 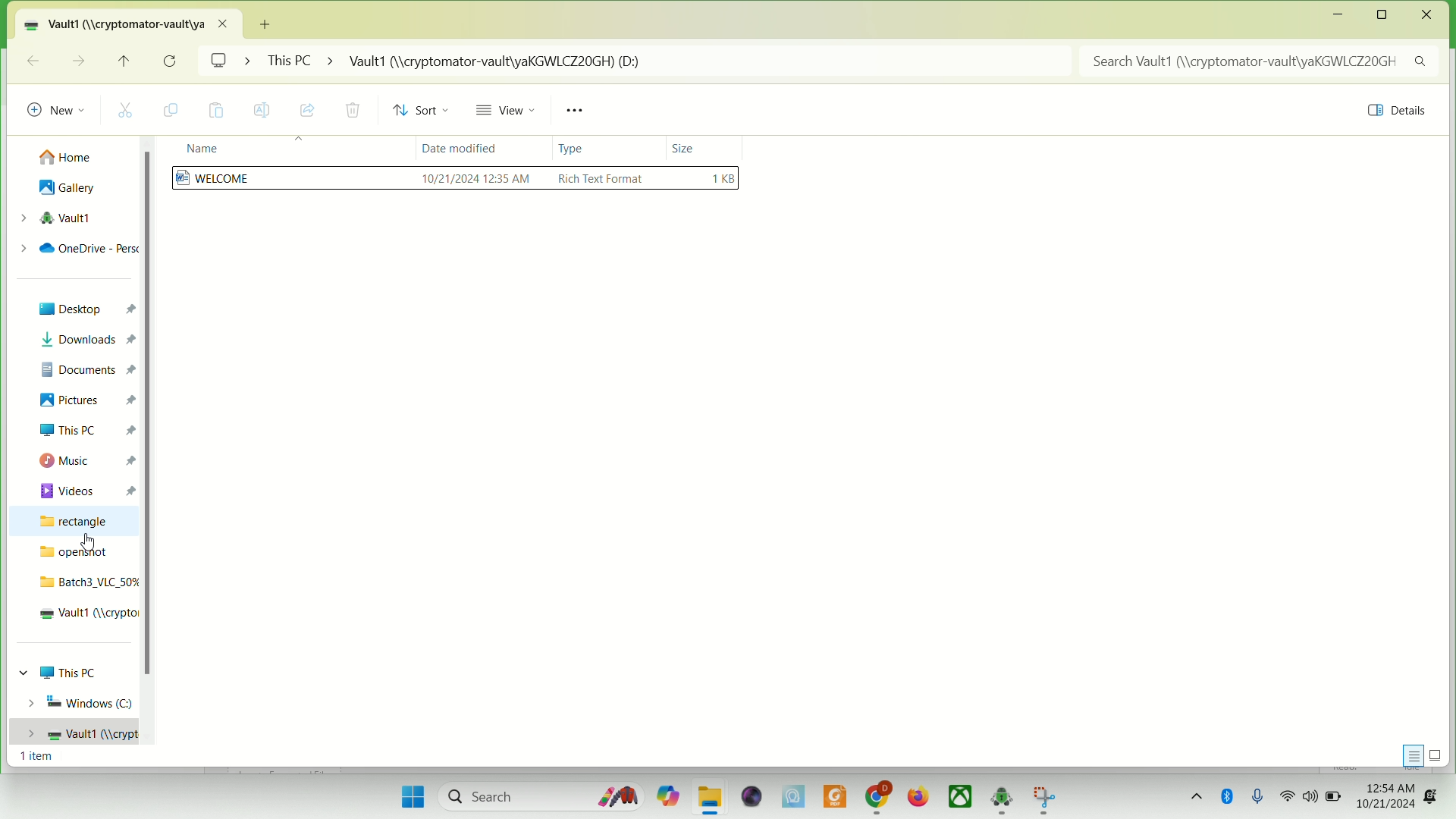 What do you see at coordinates (67, 153) in the screenshot?
I see `home` at bounding box center [67, 153].